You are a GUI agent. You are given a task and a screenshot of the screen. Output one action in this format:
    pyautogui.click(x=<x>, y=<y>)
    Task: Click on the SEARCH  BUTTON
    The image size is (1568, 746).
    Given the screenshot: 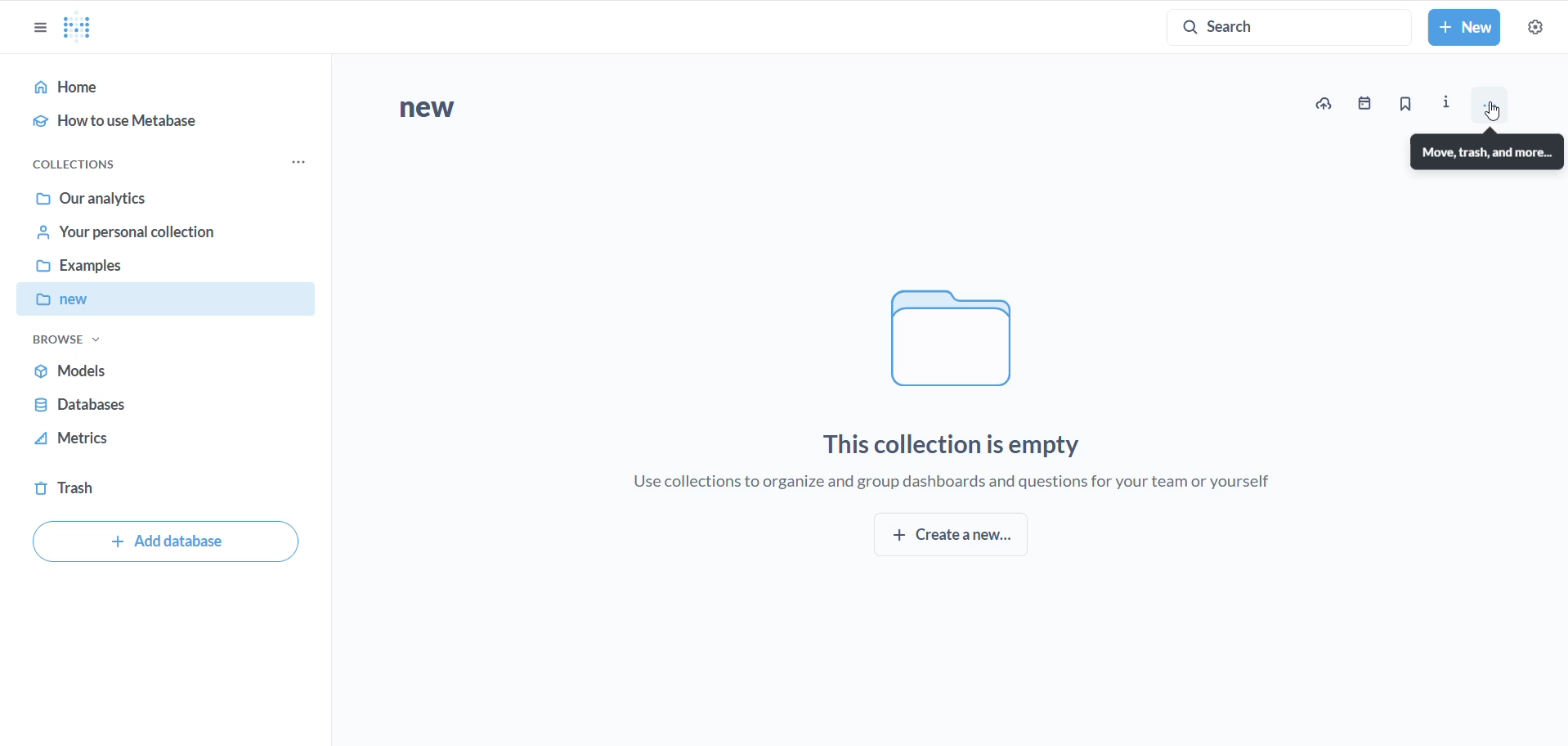 What is the action you would take?
    pyautogui.click(x=1289, y=26)
    